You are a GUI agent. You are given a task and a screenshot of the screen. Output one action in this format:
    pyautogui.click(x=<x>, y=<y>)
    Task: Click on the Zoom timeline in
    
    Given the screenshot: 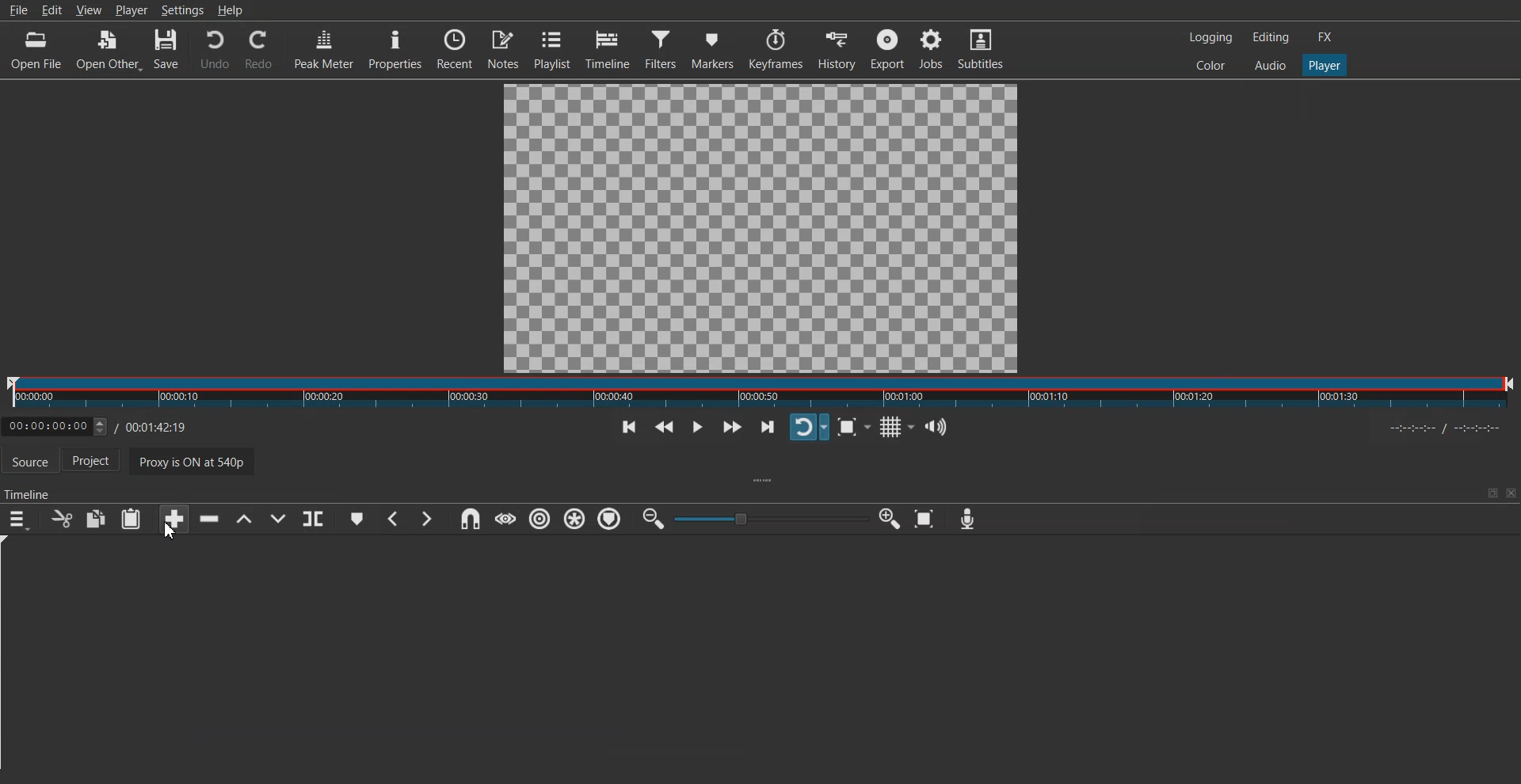 What is the action you would take?
    pyautogui.click(x=889, y=519)
    